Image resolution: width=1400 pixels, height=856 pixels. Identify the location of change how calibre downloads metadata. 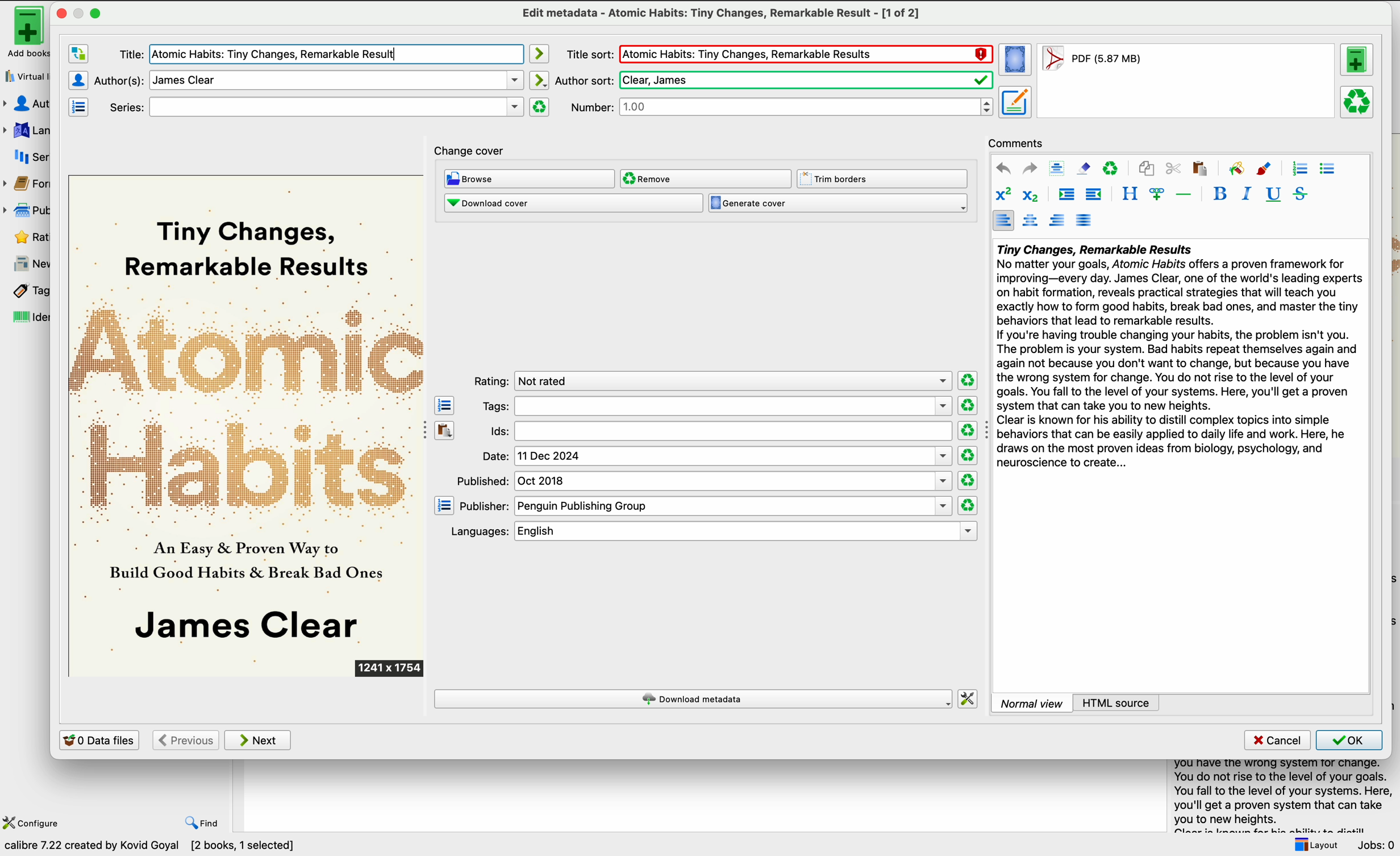
(969, 698).